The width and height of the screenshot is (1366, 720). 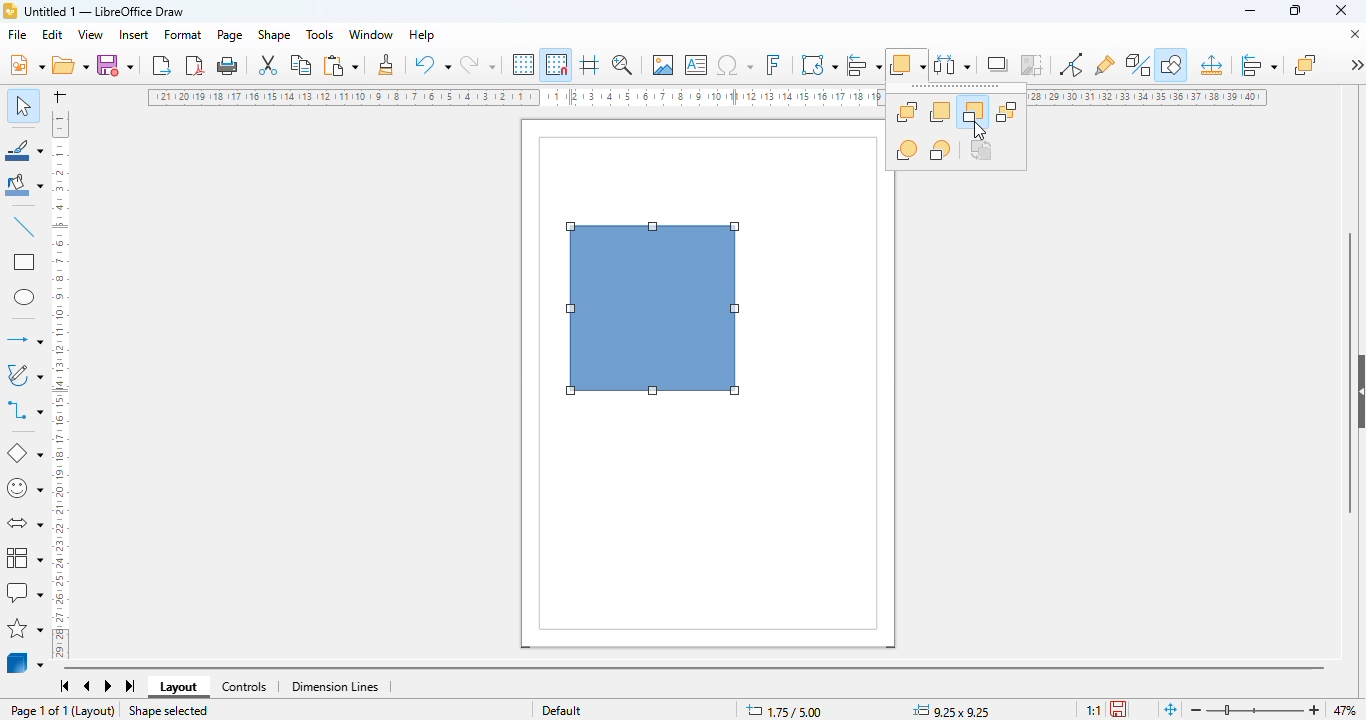 I want to click on reverse, so click(x=981, y=150).